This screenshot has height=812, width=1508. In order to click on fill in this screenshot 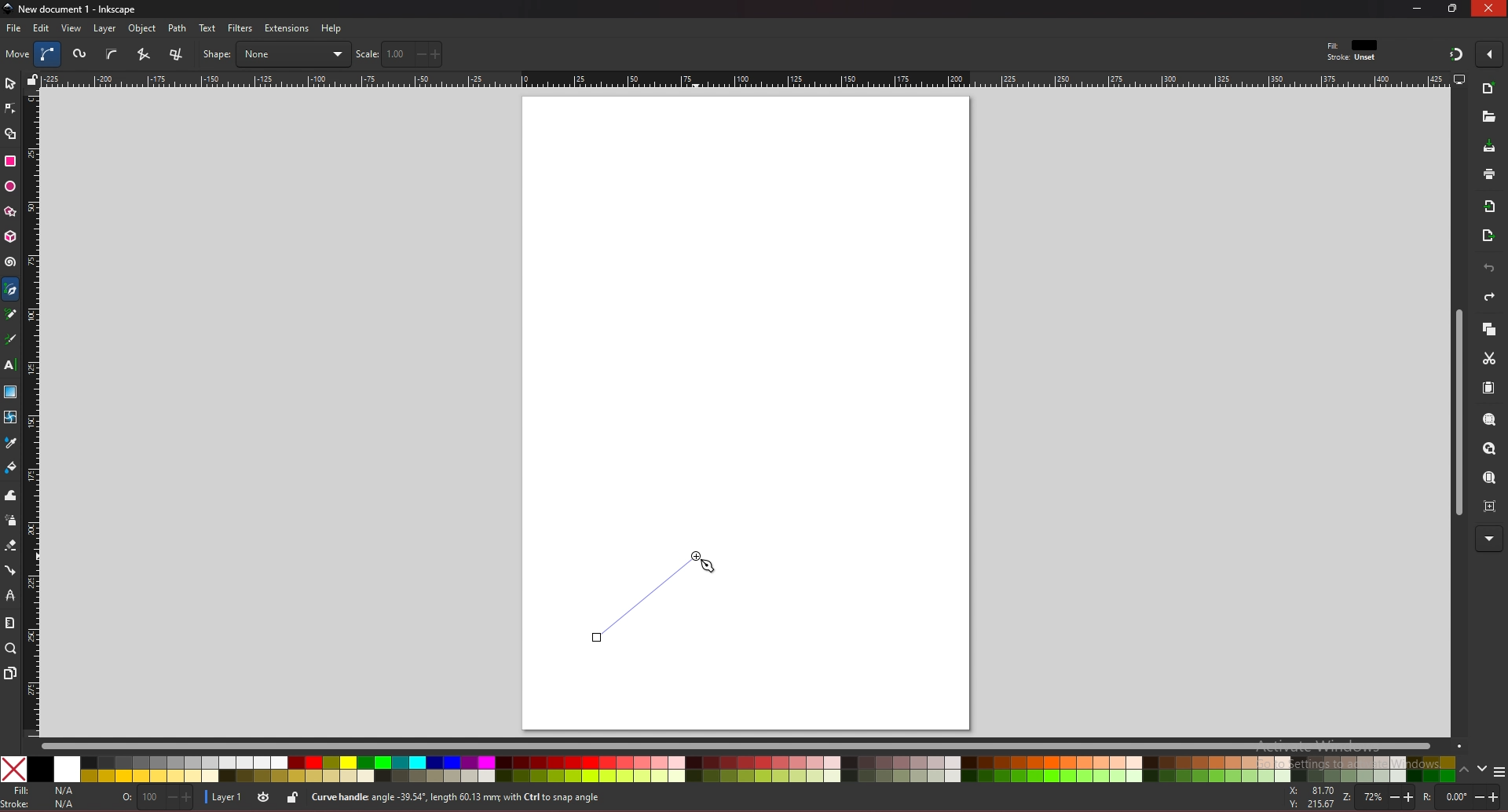, I will do `click(42, 791)`.